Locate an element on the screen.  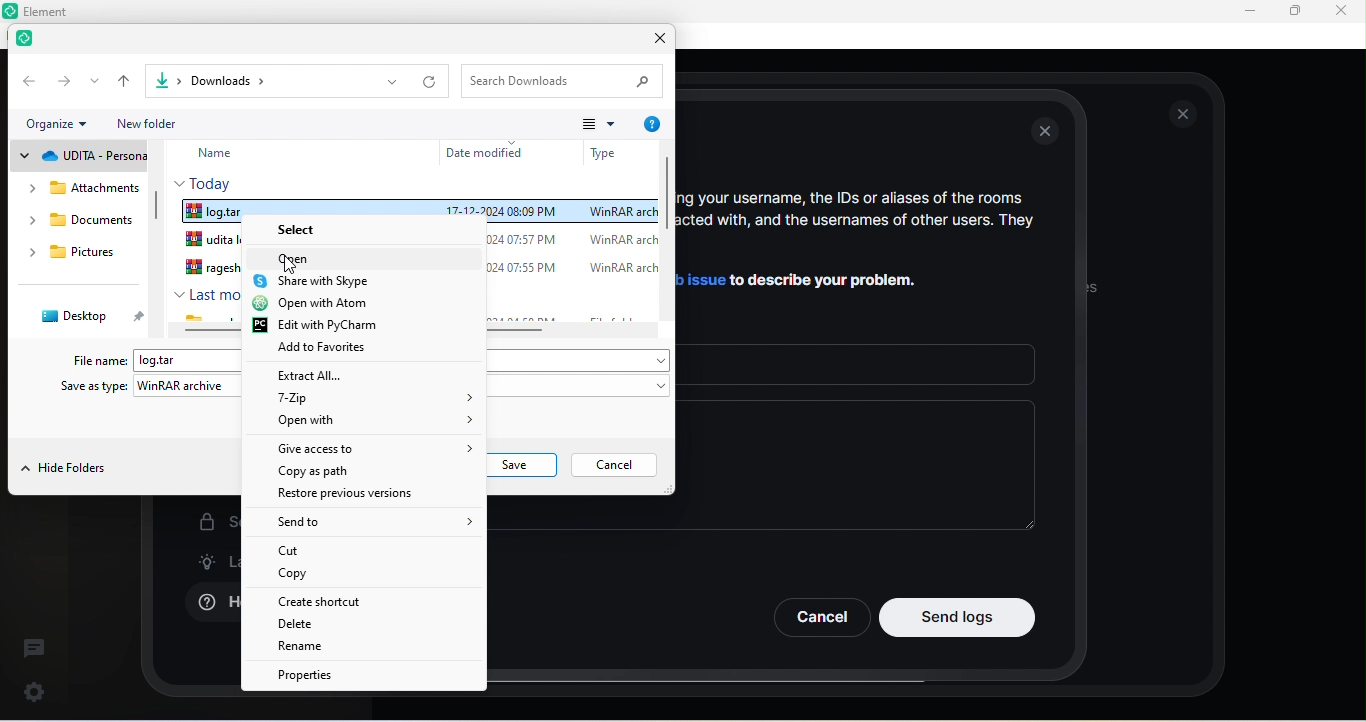
organize is located at coordinates (63, 125).